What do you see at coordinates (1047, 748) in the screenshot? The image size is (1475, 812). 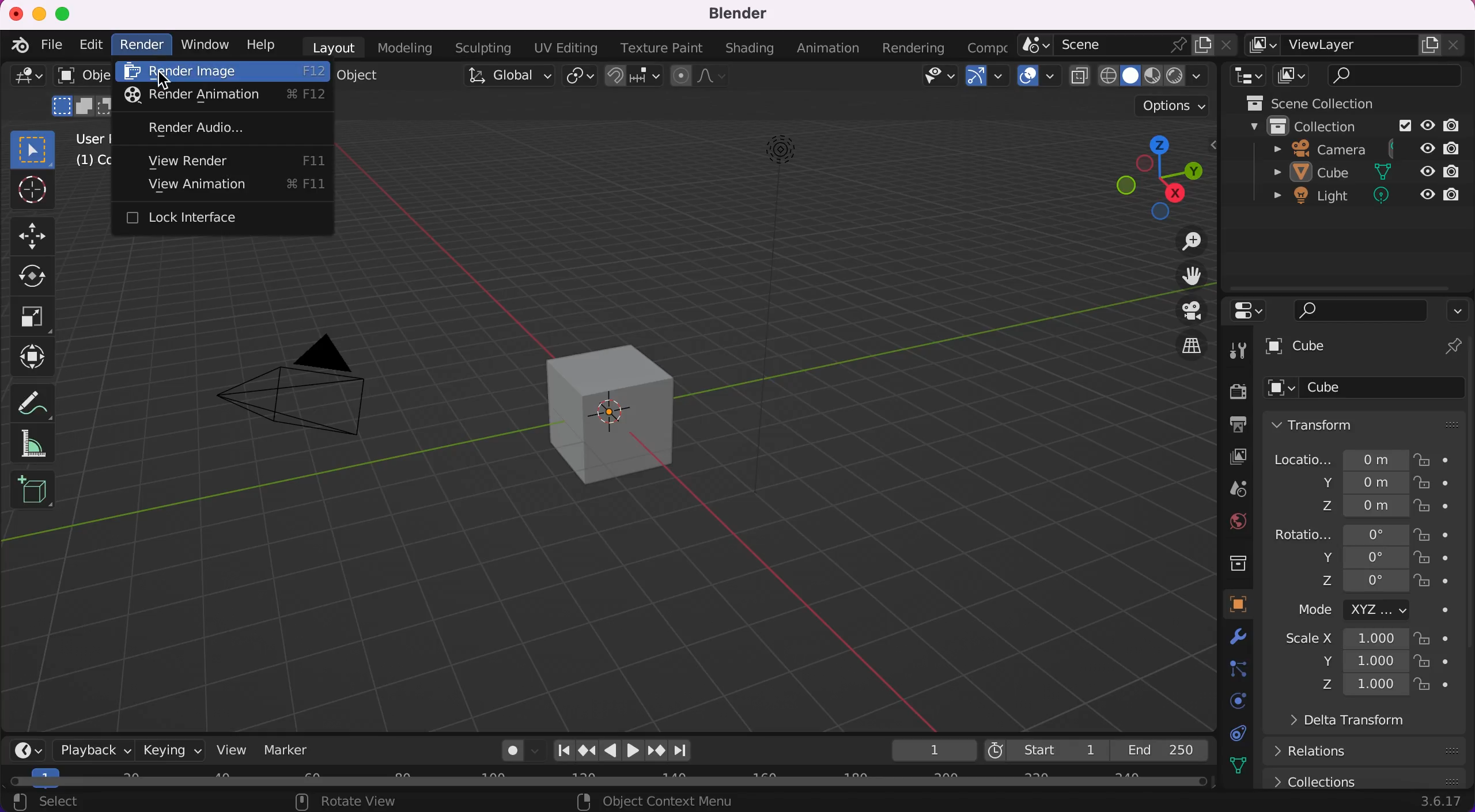 I see `start 1` at bounding box center [1047, 748].